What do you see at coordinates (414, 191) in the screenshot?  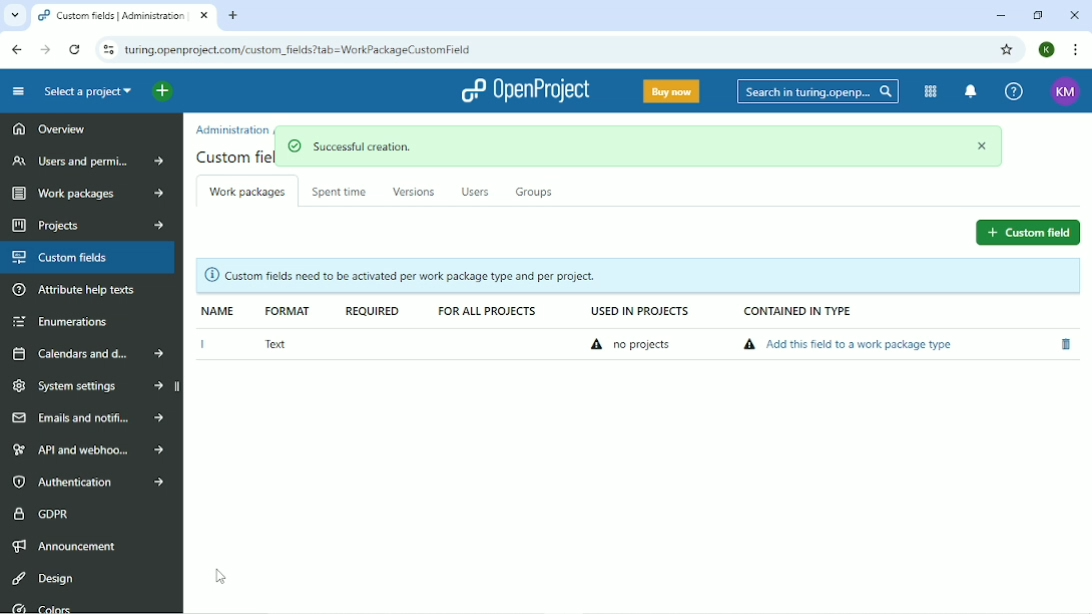 I see `Versions` at bounding box center [414, 191].